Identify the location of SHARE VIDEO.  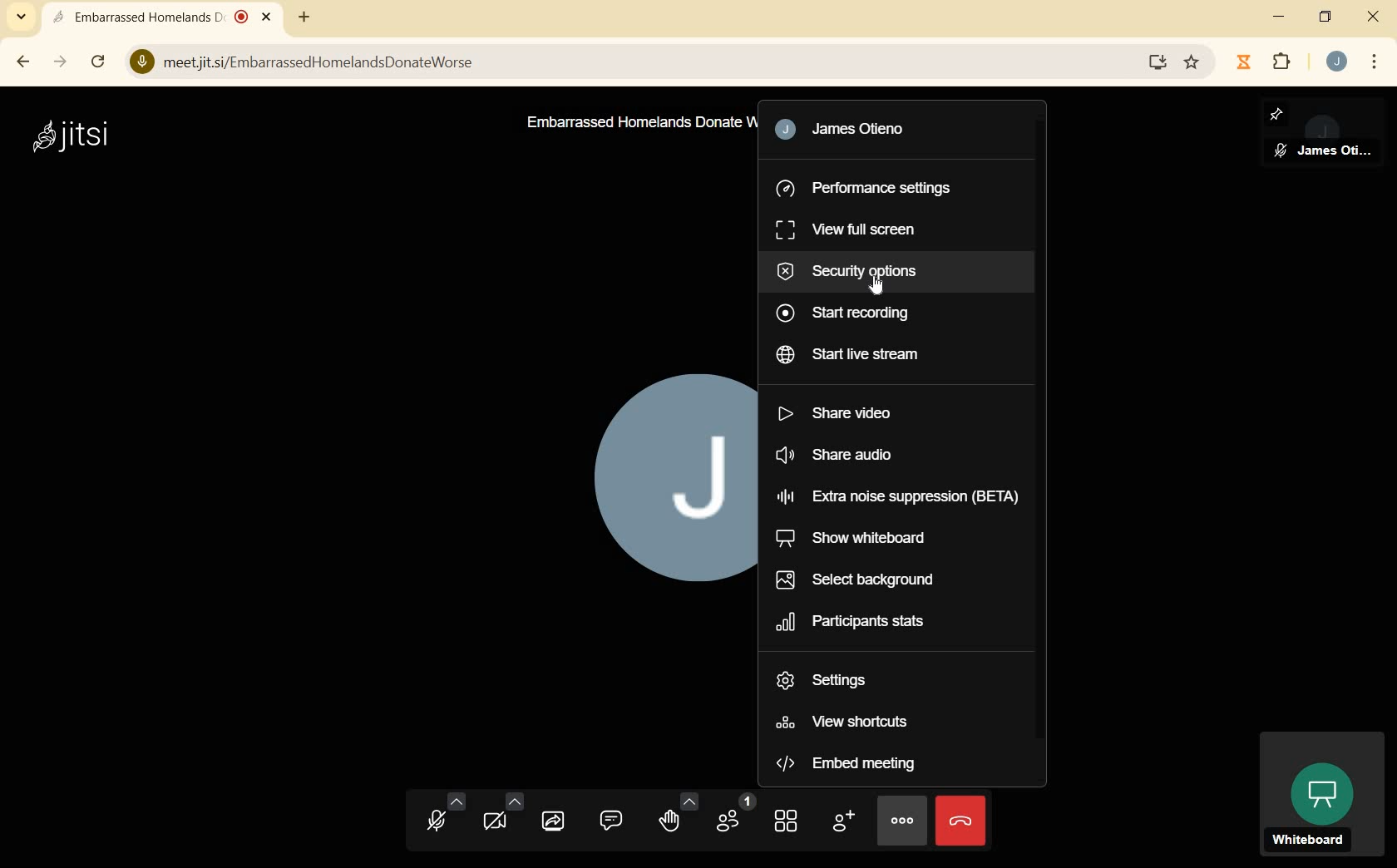
(841, 417).